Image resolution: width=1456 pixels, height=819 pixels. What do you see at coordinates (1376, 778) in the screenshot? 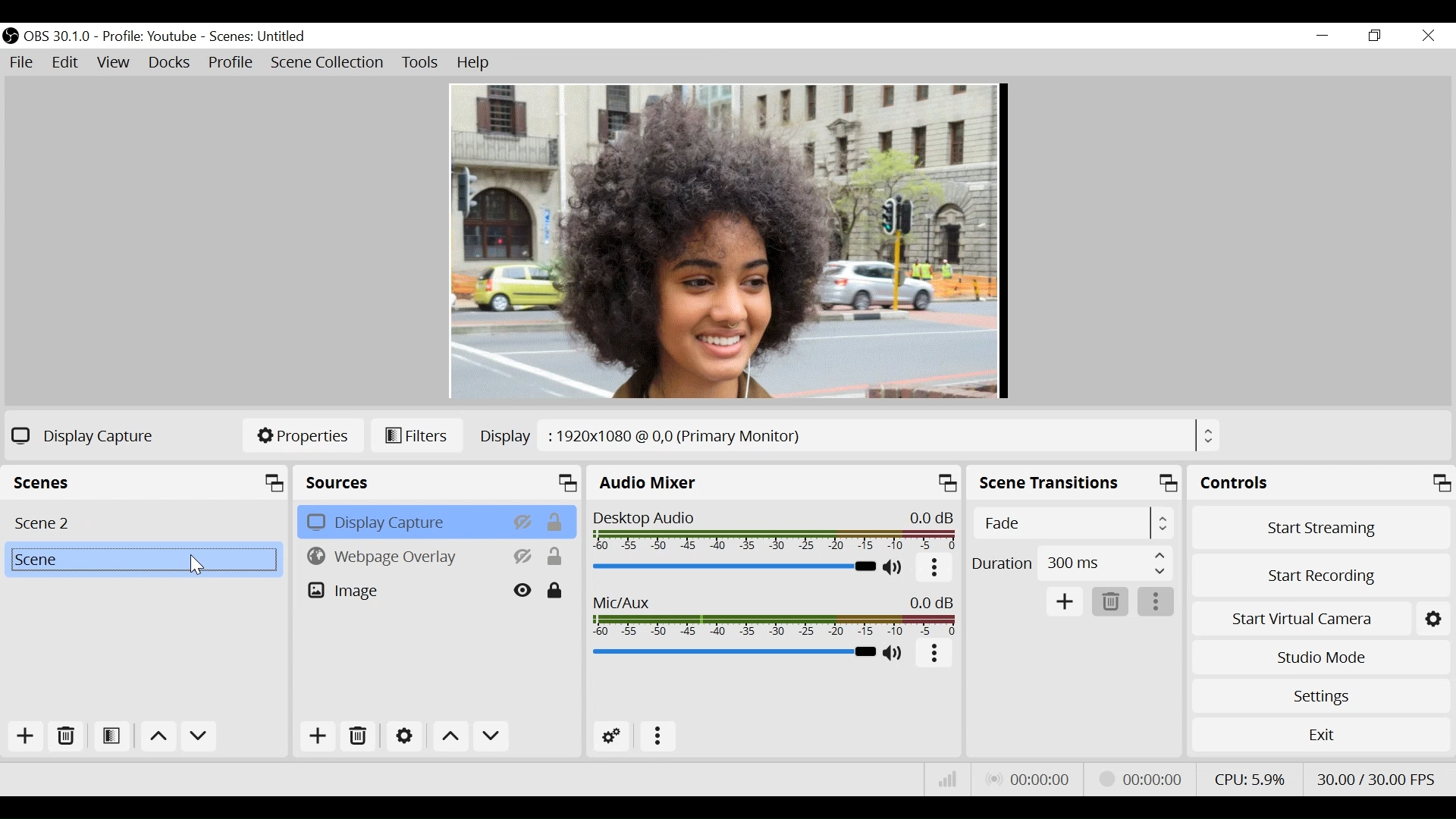
I see `Frame Per Second` at bounding box center [1376, 778].